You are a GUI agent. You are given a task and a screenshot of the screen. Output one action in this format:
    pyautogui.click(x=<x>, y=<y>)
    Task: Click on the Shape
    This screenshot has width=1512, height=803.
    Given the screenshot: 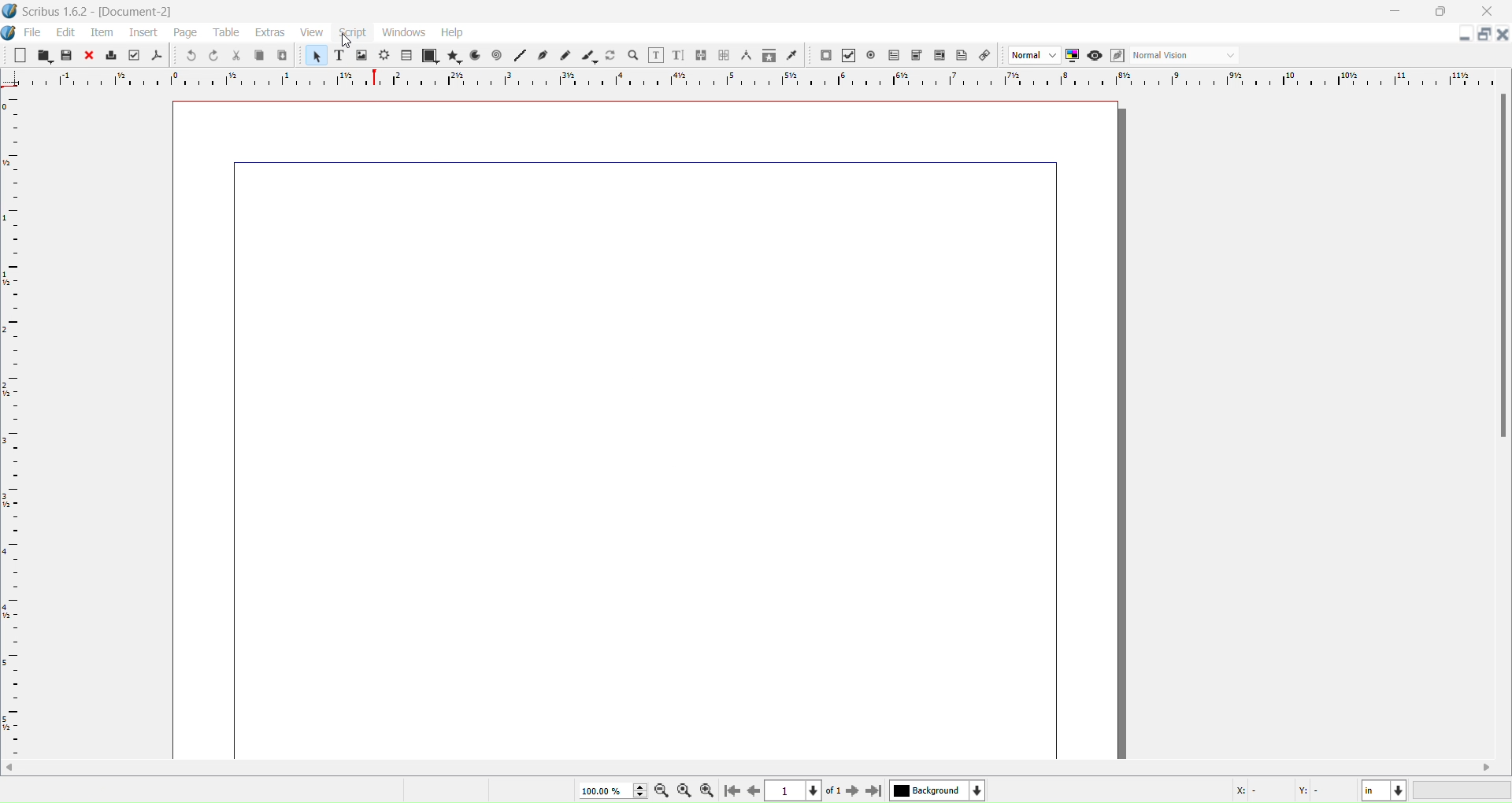 What is the action you would take?
    pyautogui.click(x=432, y=57)
    